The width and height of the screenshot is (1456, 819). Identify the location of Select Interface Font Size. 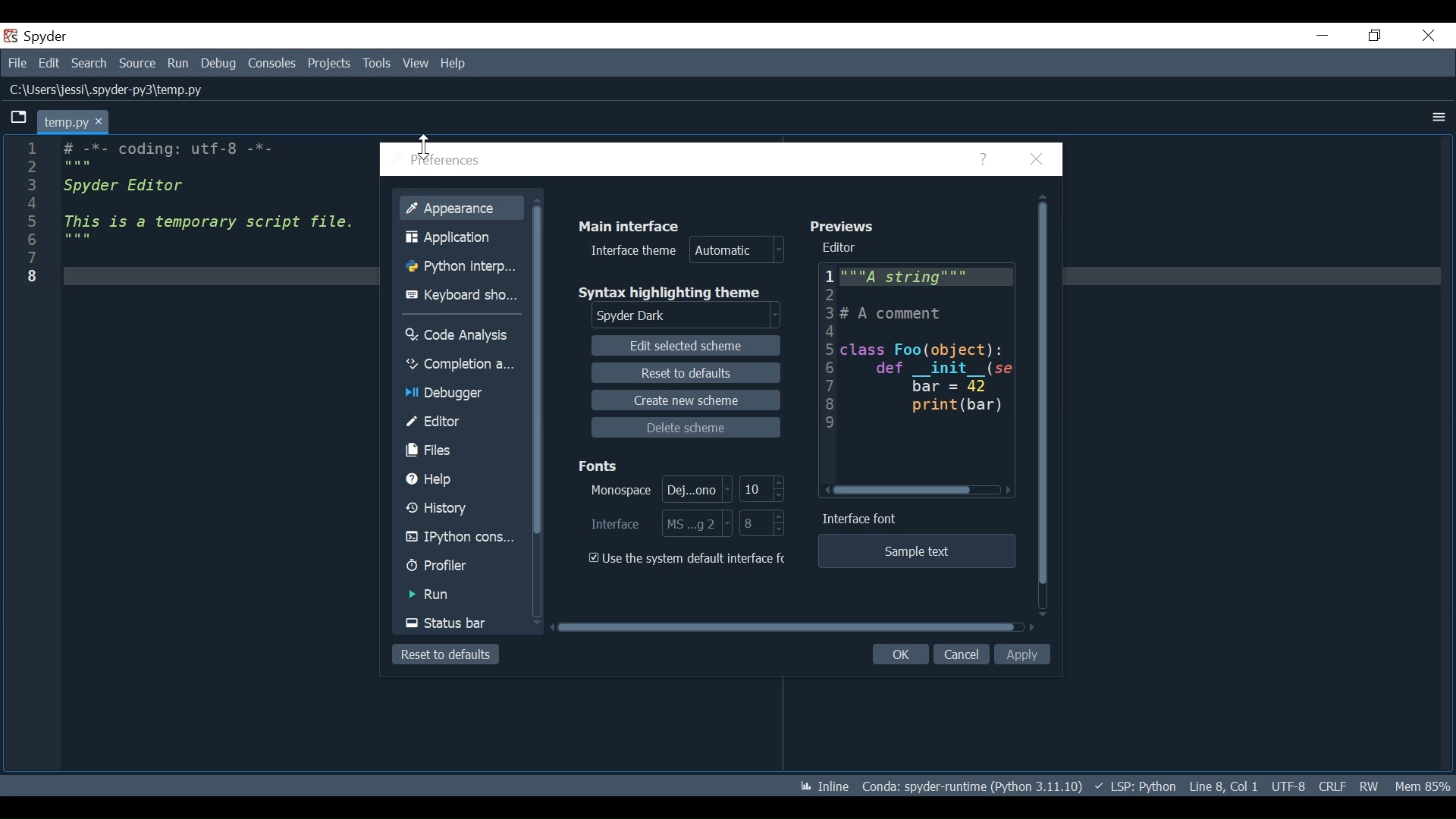
(763, 522).